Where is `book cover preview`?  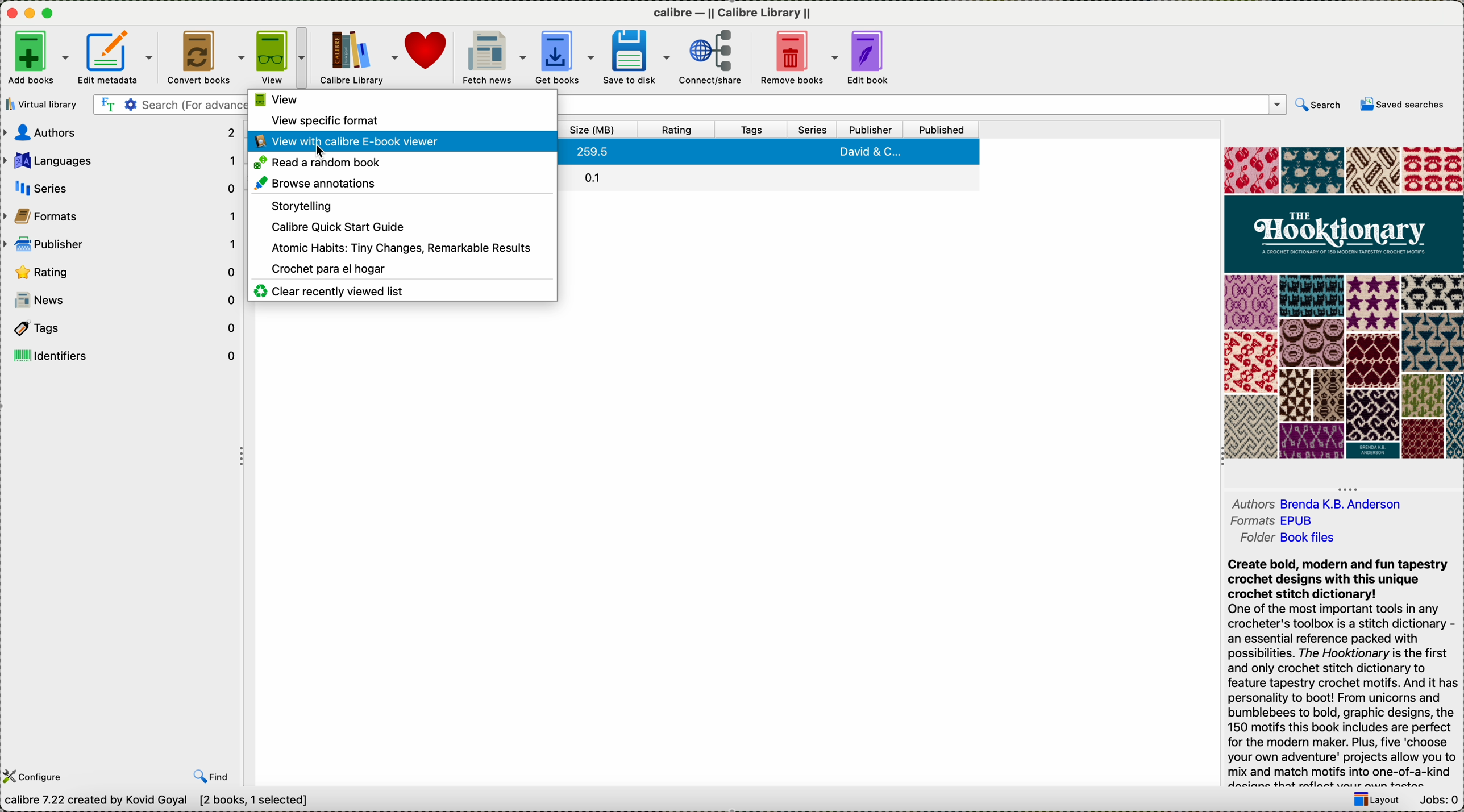 book cover preview is located at coordinates (1342, 303).